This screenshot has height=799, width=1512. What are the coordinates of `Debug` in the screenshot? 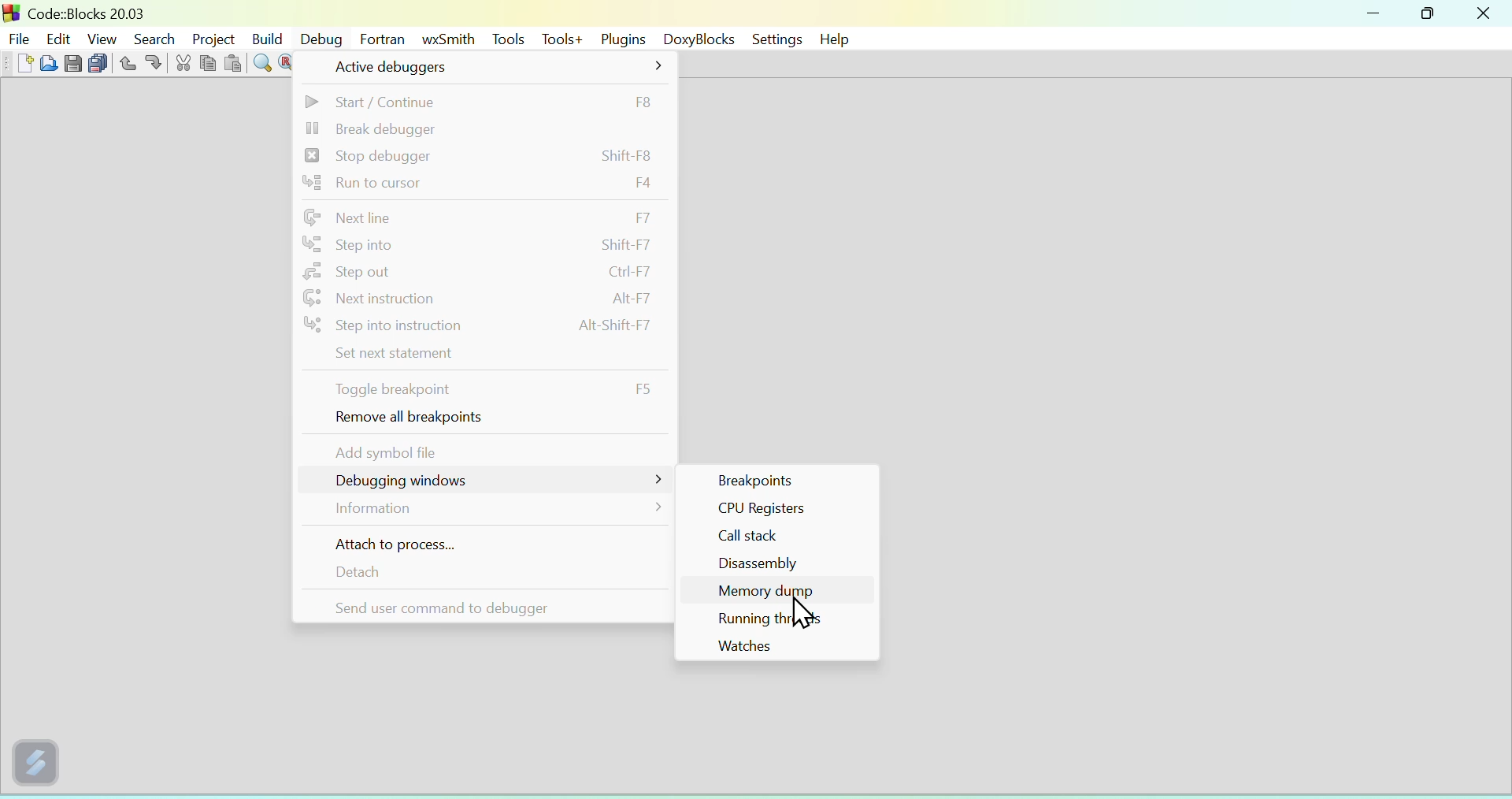 It's located at (321, 39).